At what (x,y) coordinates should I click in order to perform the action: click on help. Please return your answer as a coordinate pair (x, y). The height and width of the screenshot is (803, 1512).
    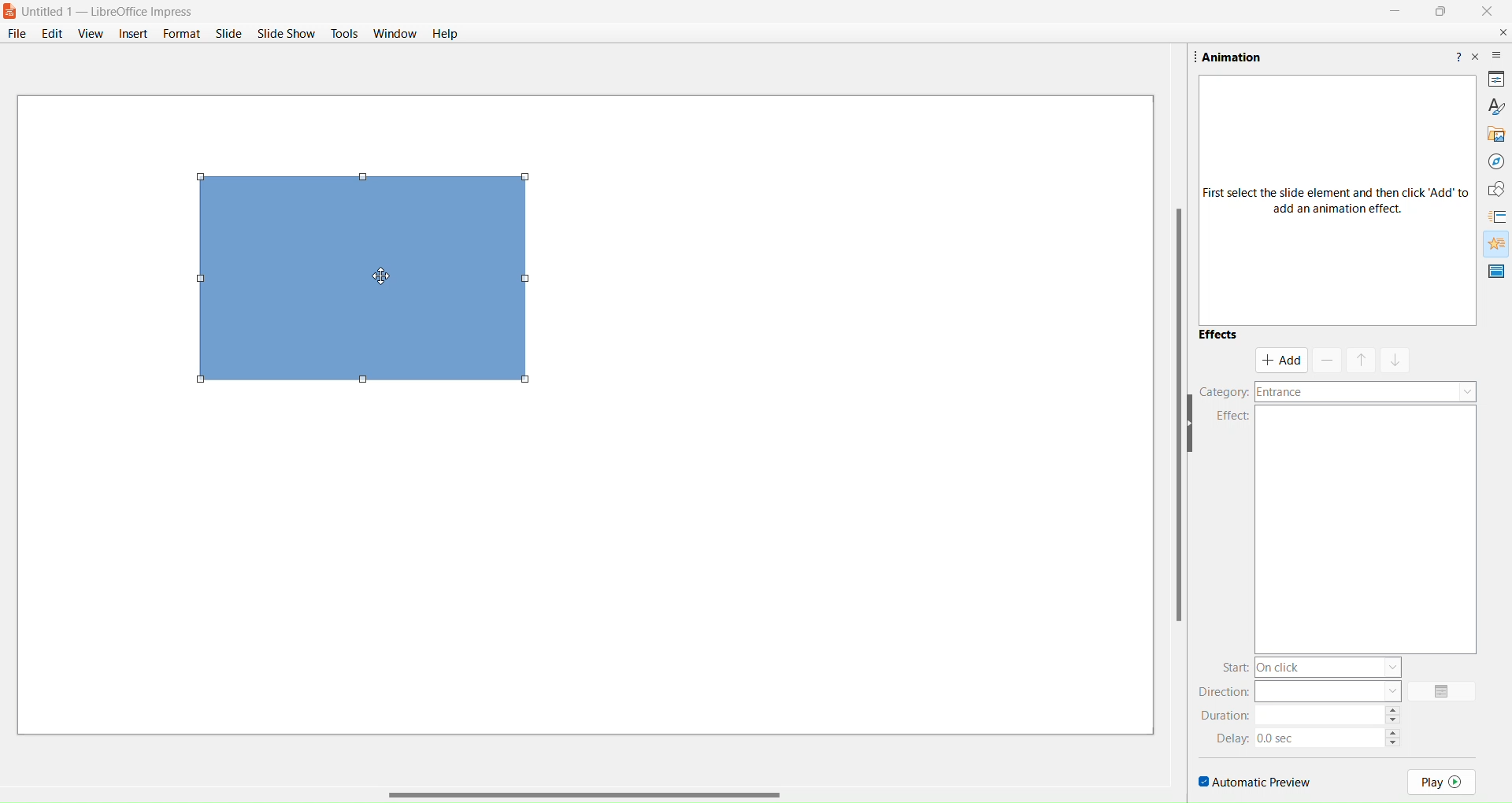
    Looking at the image, I should click on (1457, 54).